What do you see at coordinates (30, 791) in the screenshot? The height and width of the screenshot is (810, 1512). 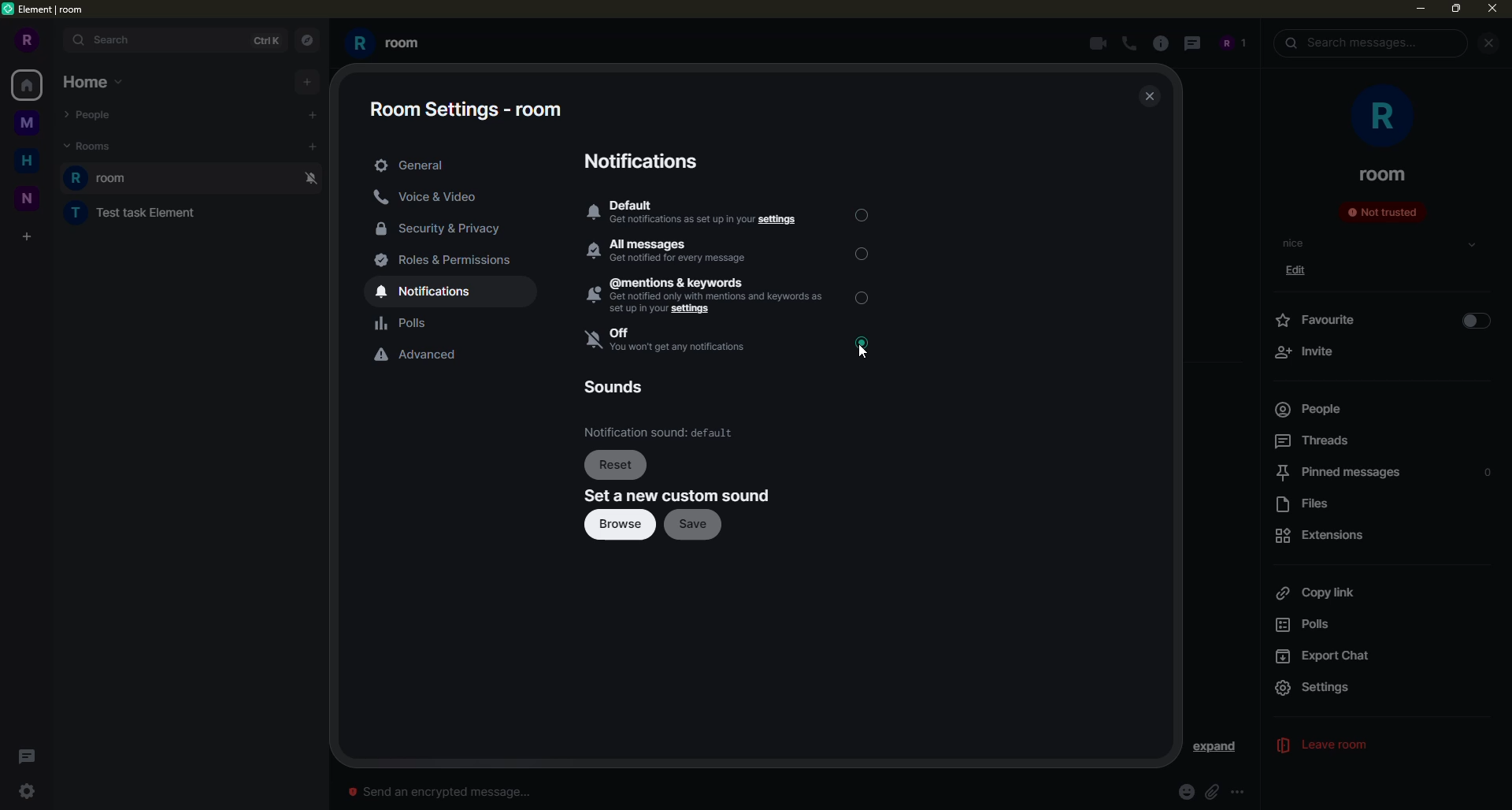 I see `settings` at bounding box center [30, 791].